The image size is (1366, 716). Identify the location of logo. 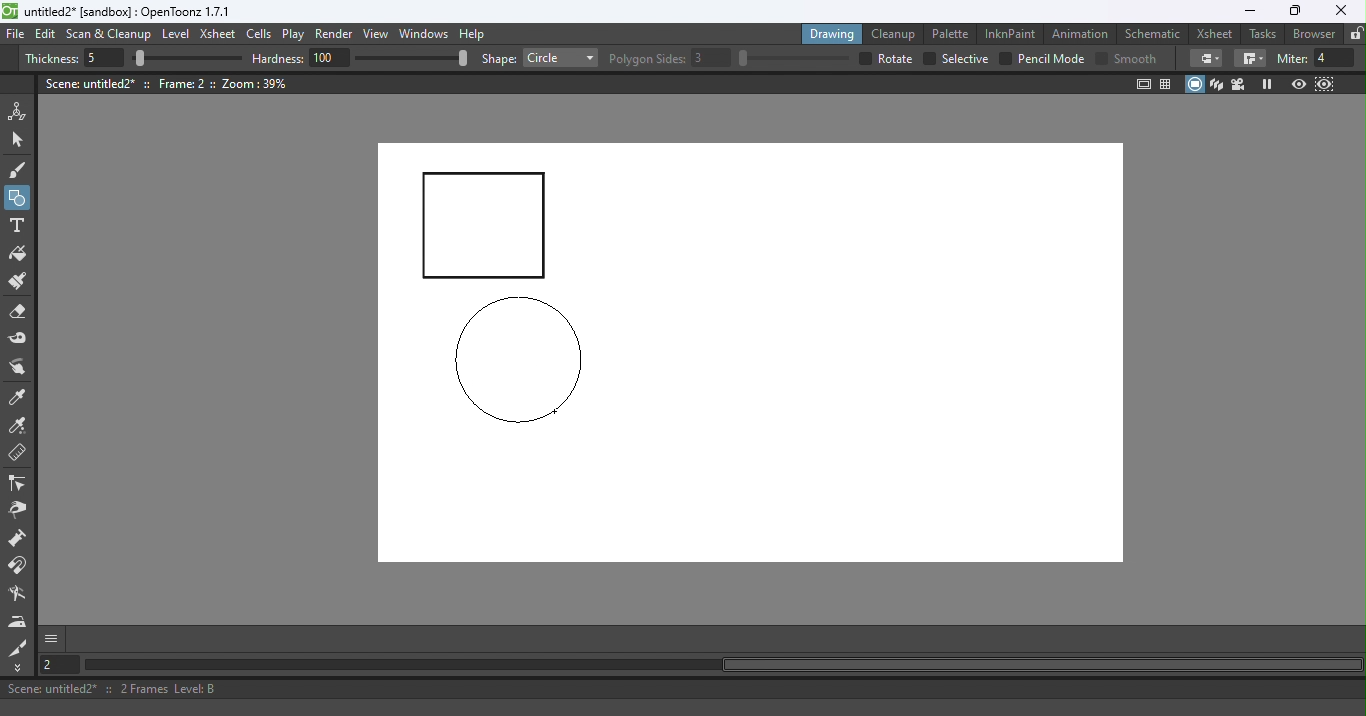
(10, 11).